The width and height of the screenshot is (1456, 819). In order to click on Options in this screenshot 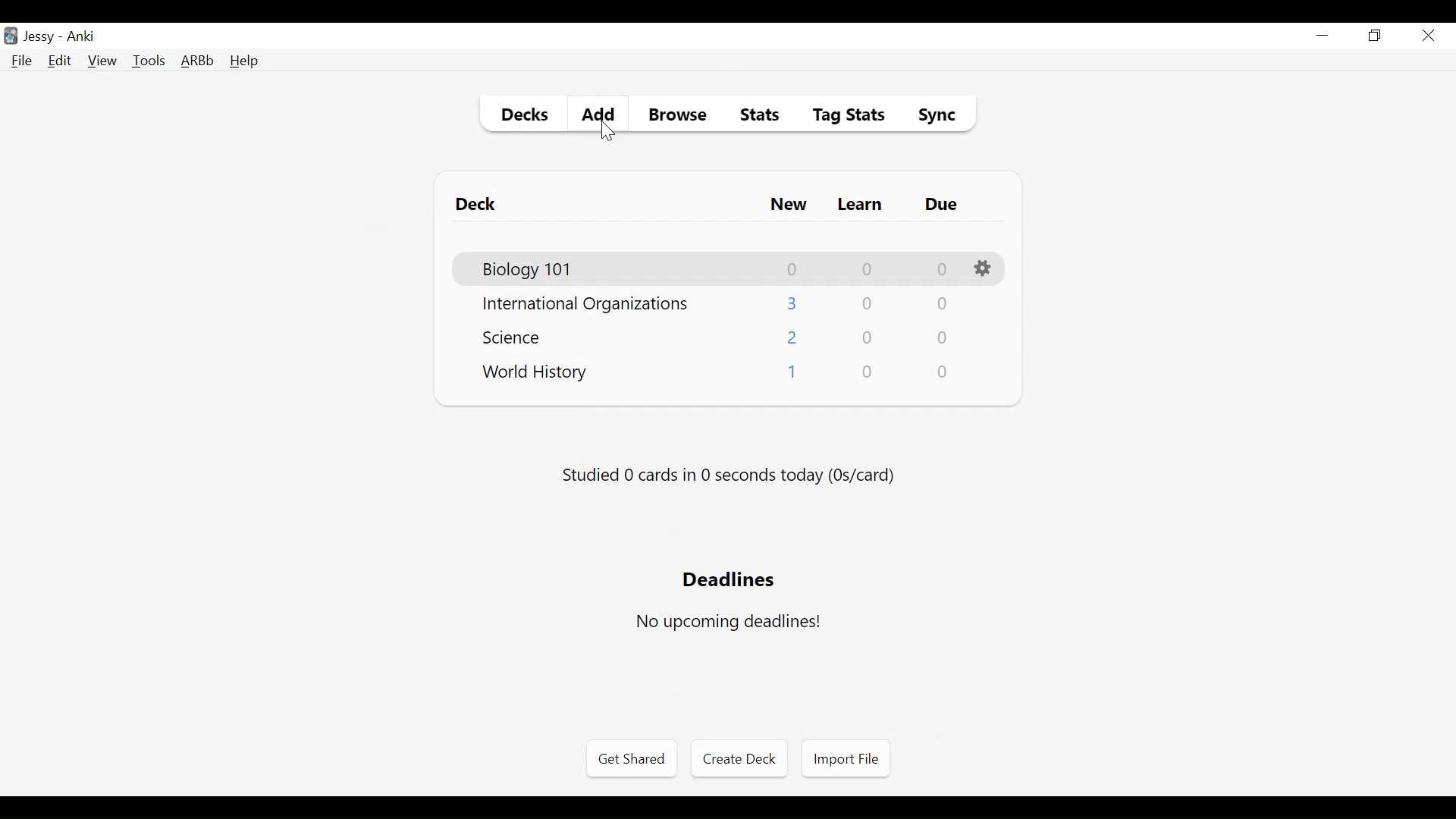, I will do `click(985, 269)`.